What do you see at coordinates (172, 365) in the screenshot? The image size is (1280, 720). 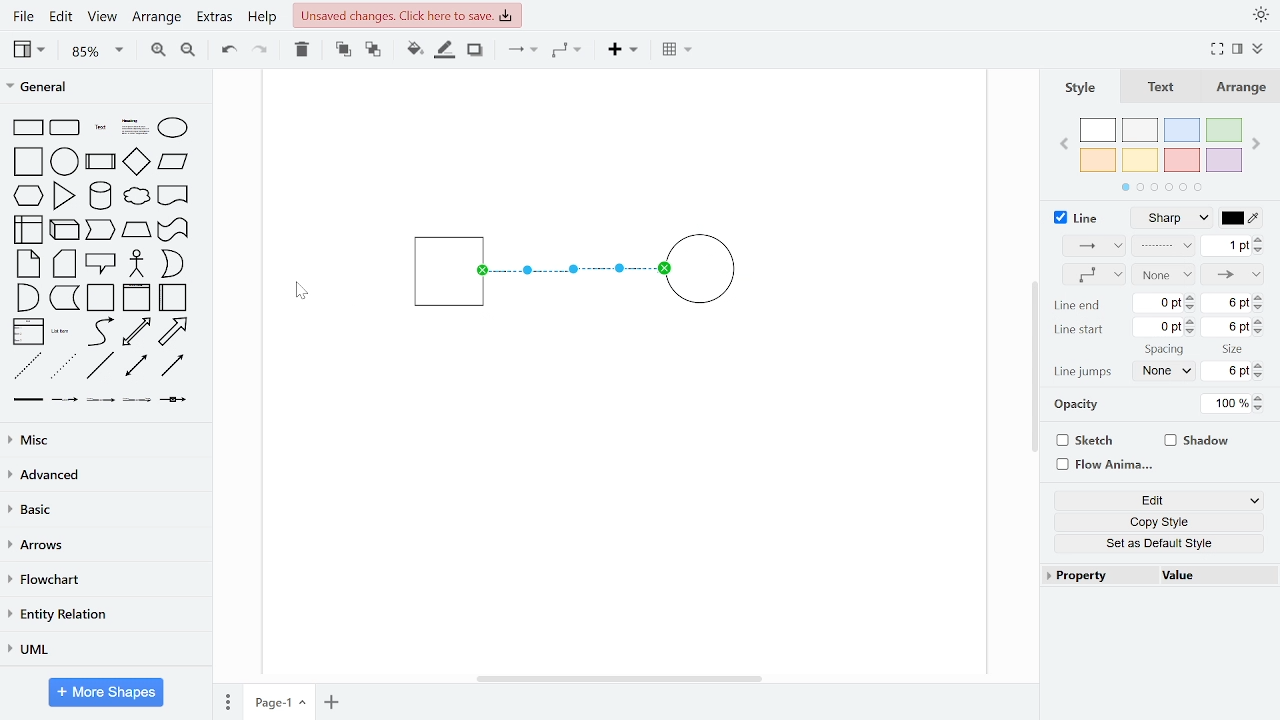 I see `directional connector` at bounding box center [172, 365].